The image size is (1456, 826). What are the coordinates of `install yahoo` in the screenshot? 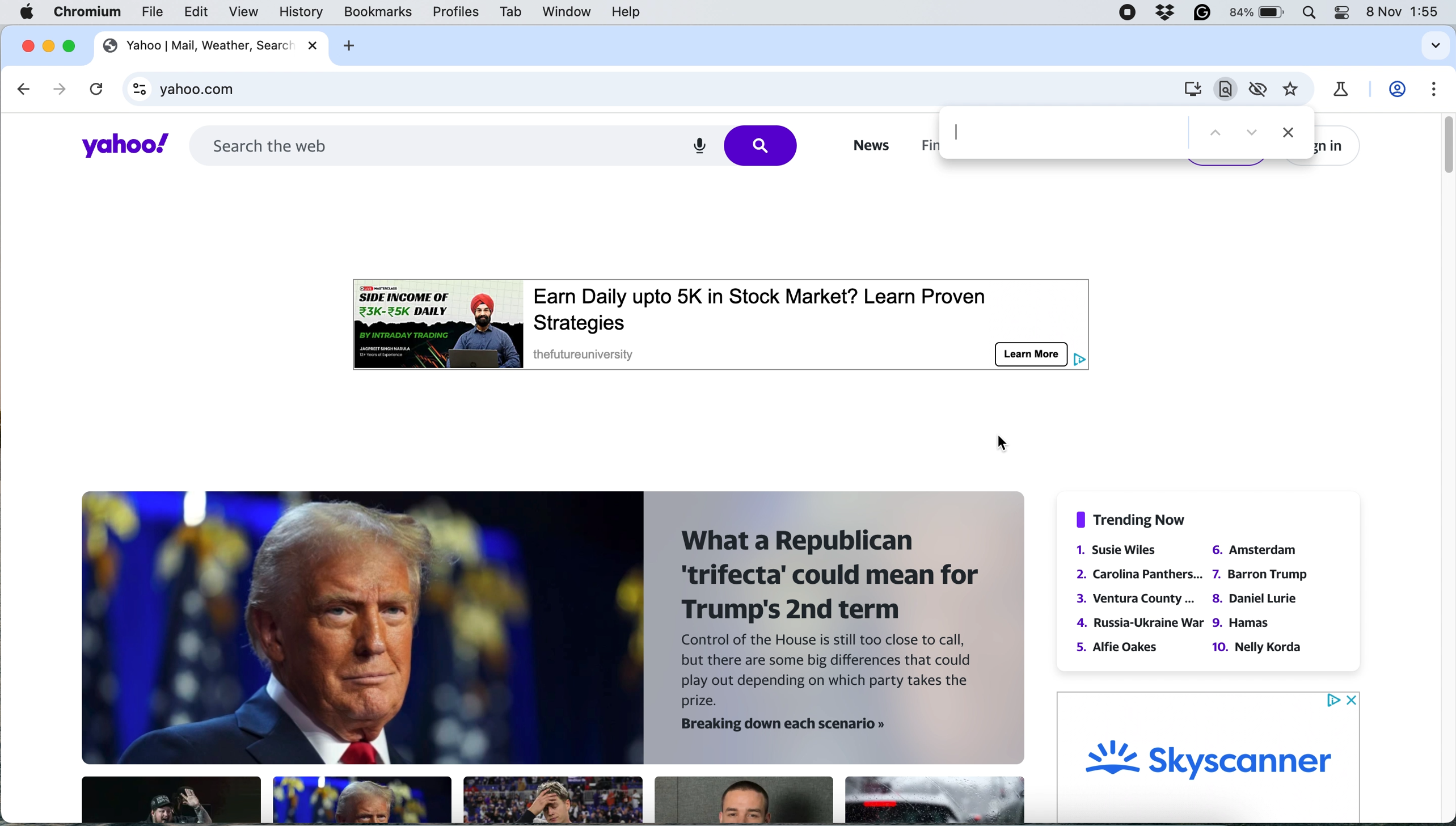 It's located at (1223, 90).